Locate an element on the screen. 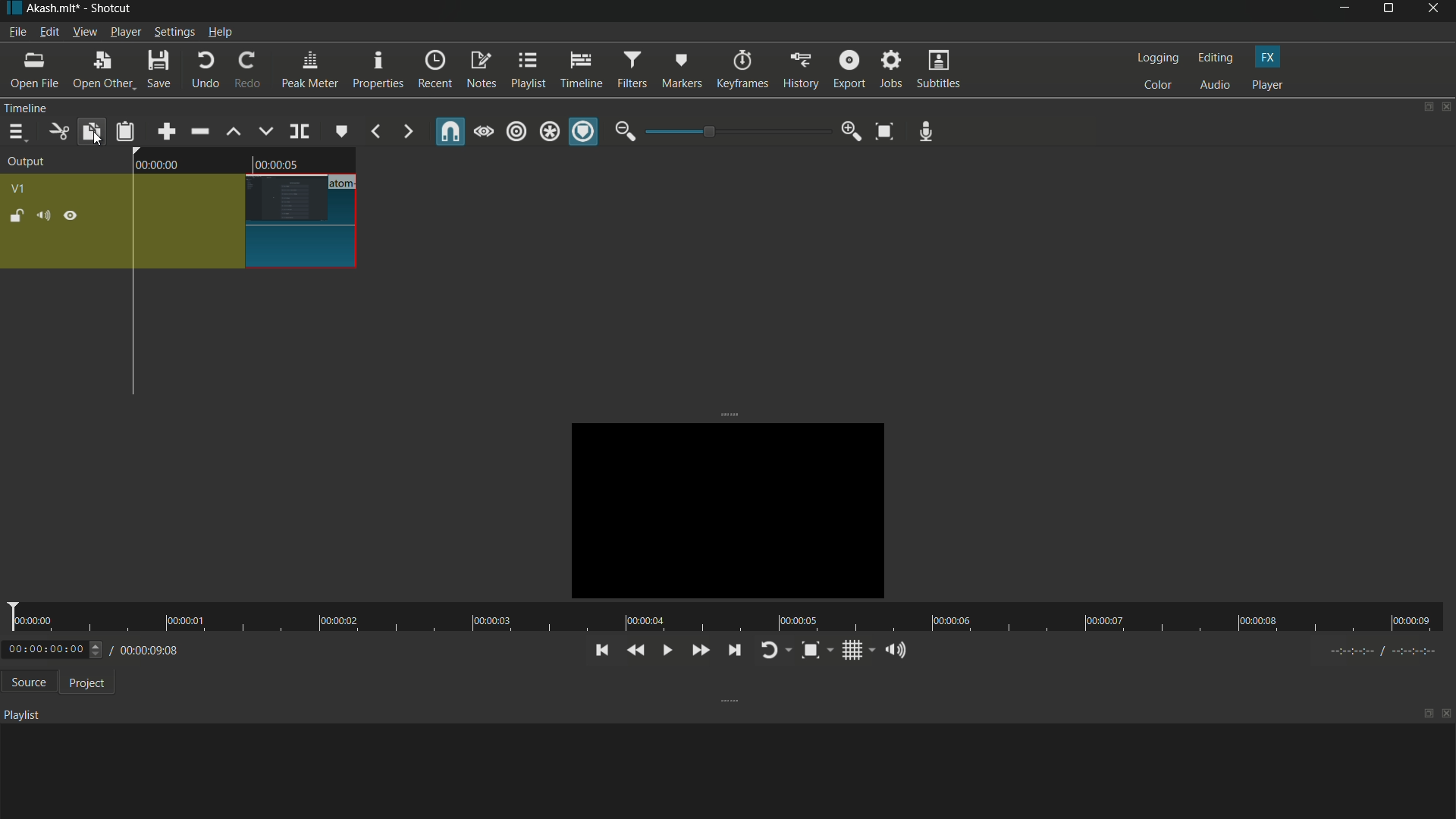 This screenshot has height=819, width=1456. keyframes is located at coordinates (741, 70).